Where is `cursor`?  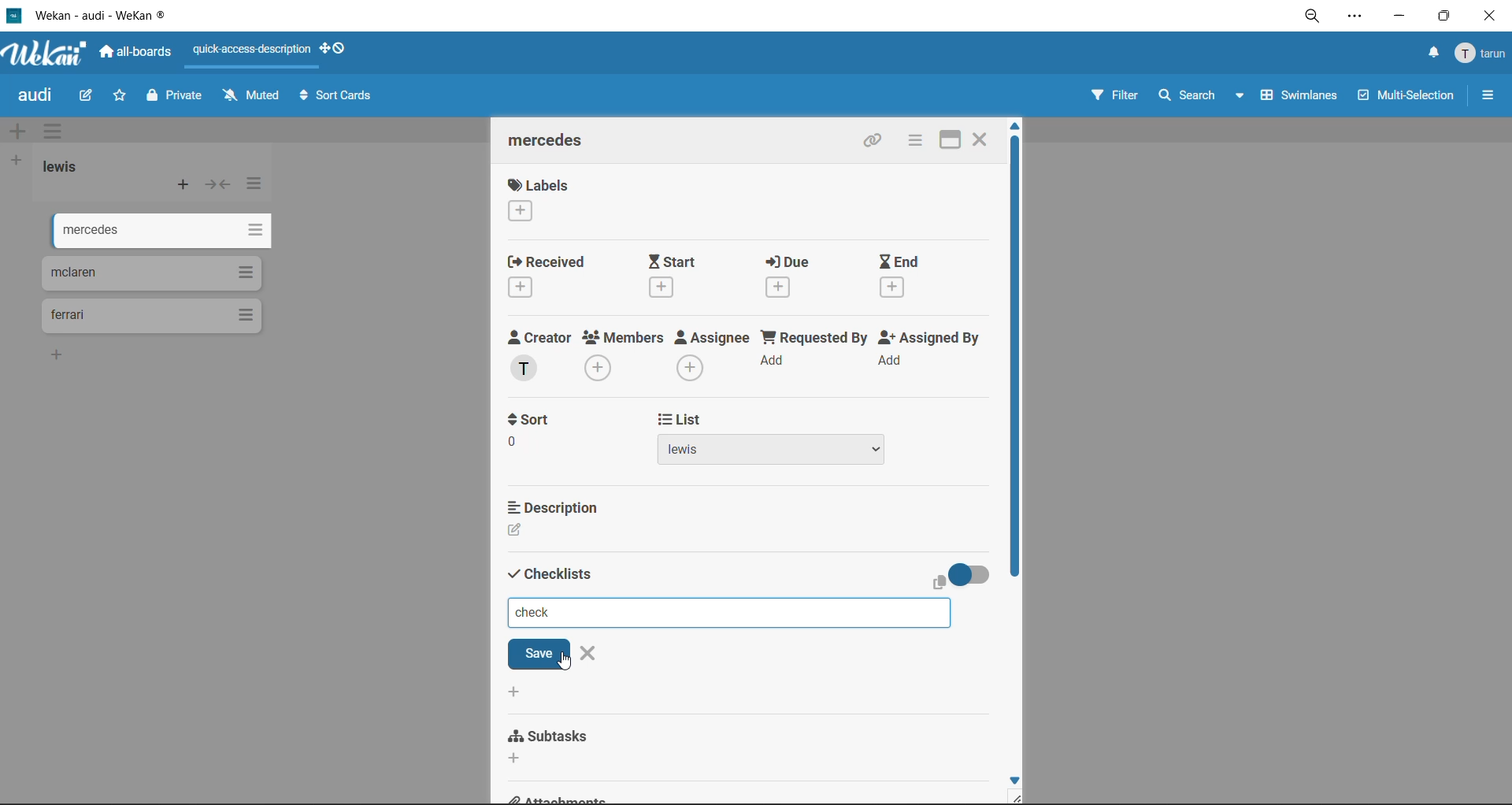 cursor is located at coordinates (565, 663).